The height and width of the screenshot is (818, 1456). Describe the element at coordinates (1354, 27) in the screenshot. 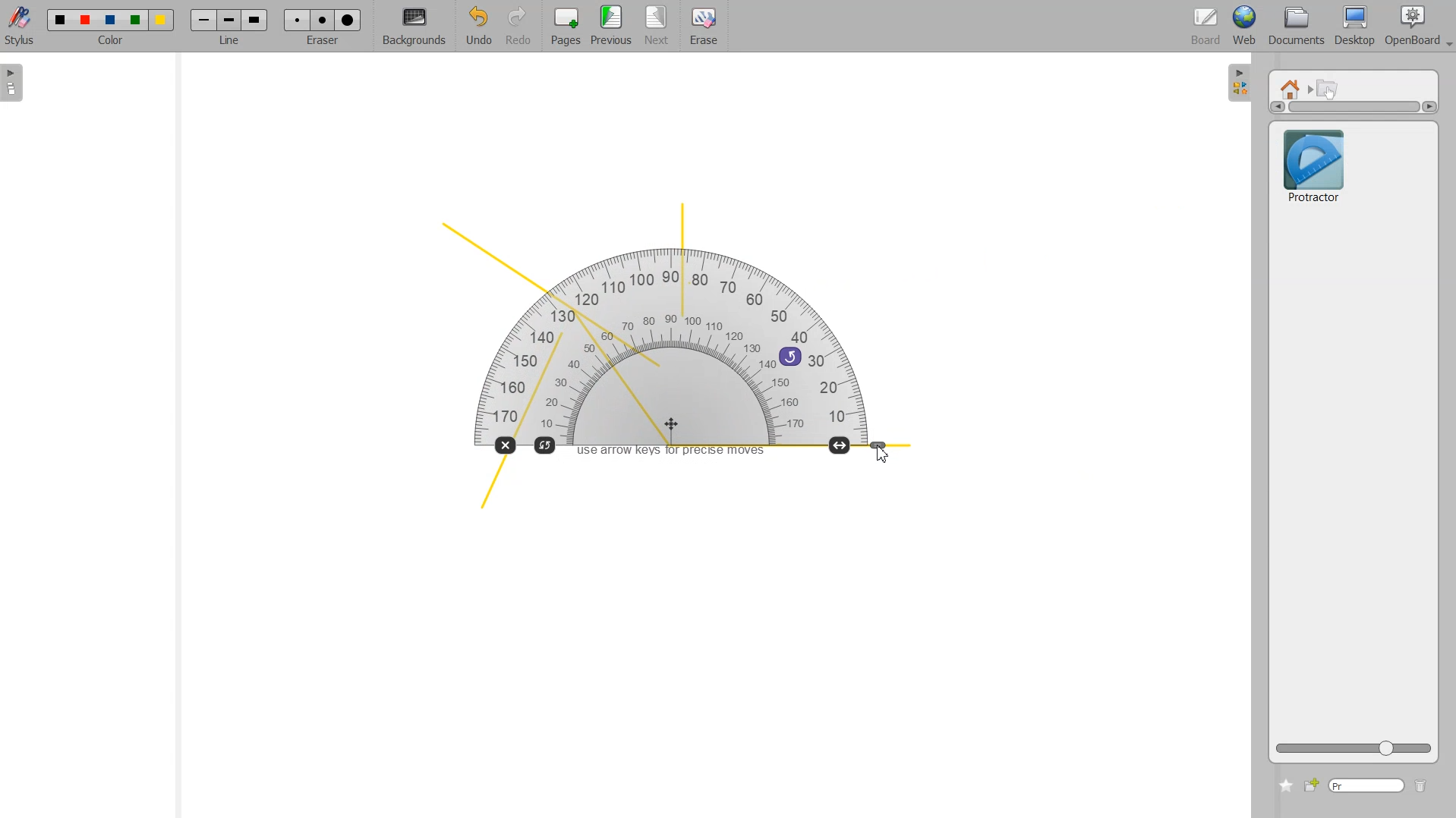

I see `Desktop` at that location.